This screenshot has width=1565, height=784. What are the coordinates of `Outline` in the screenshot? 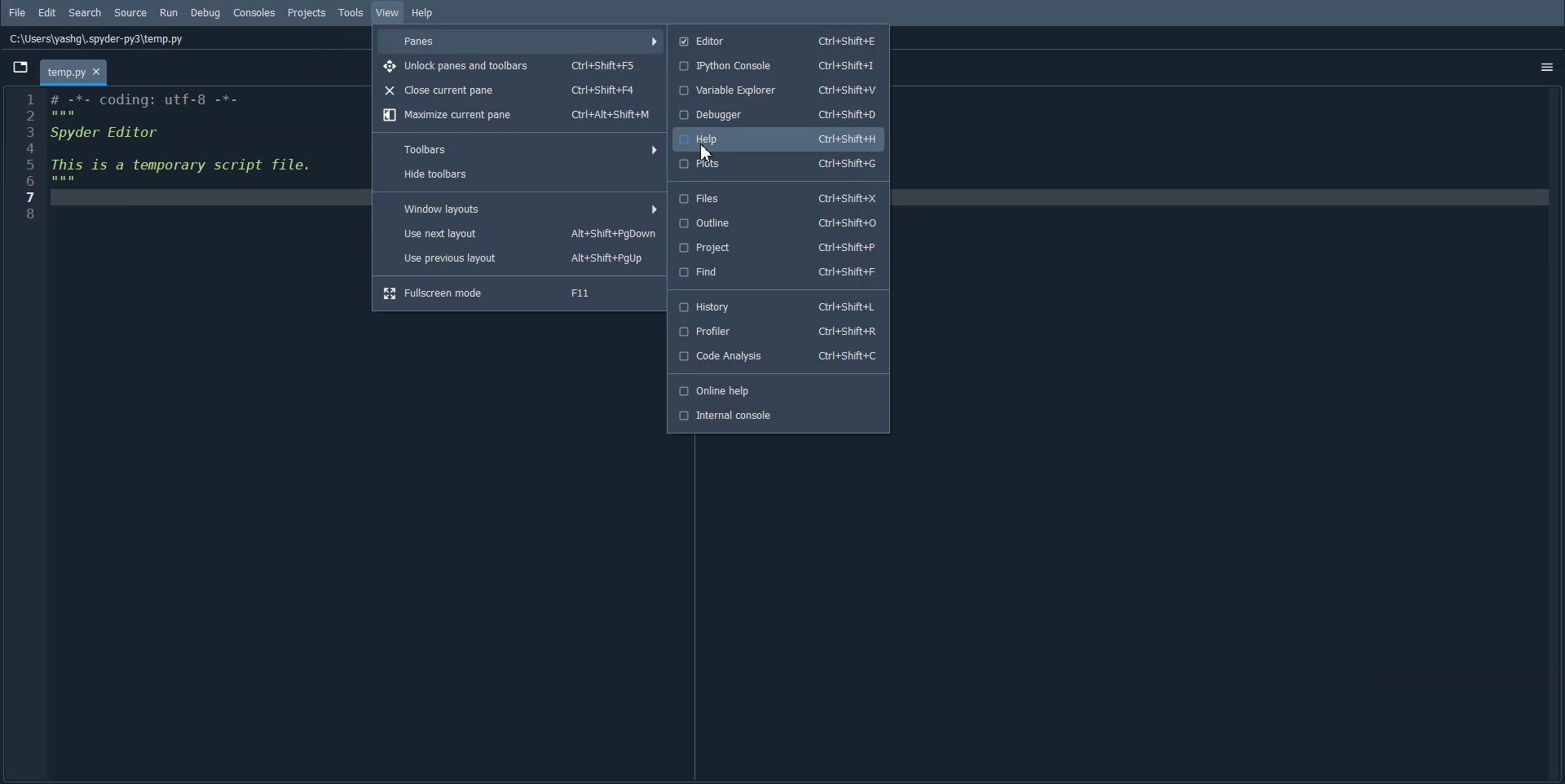 It's located at (778, 222).